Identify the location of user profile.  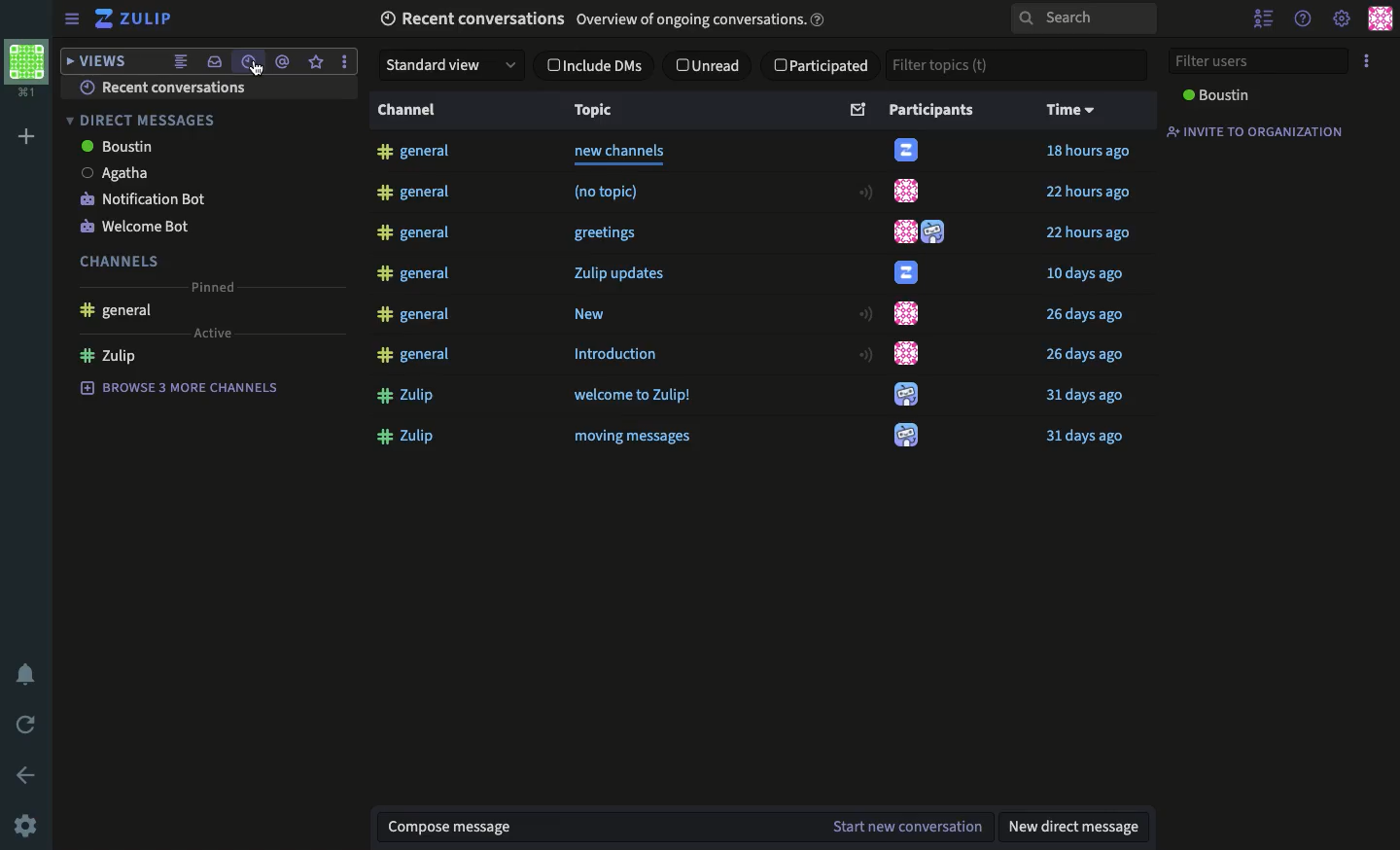
(909, 395).